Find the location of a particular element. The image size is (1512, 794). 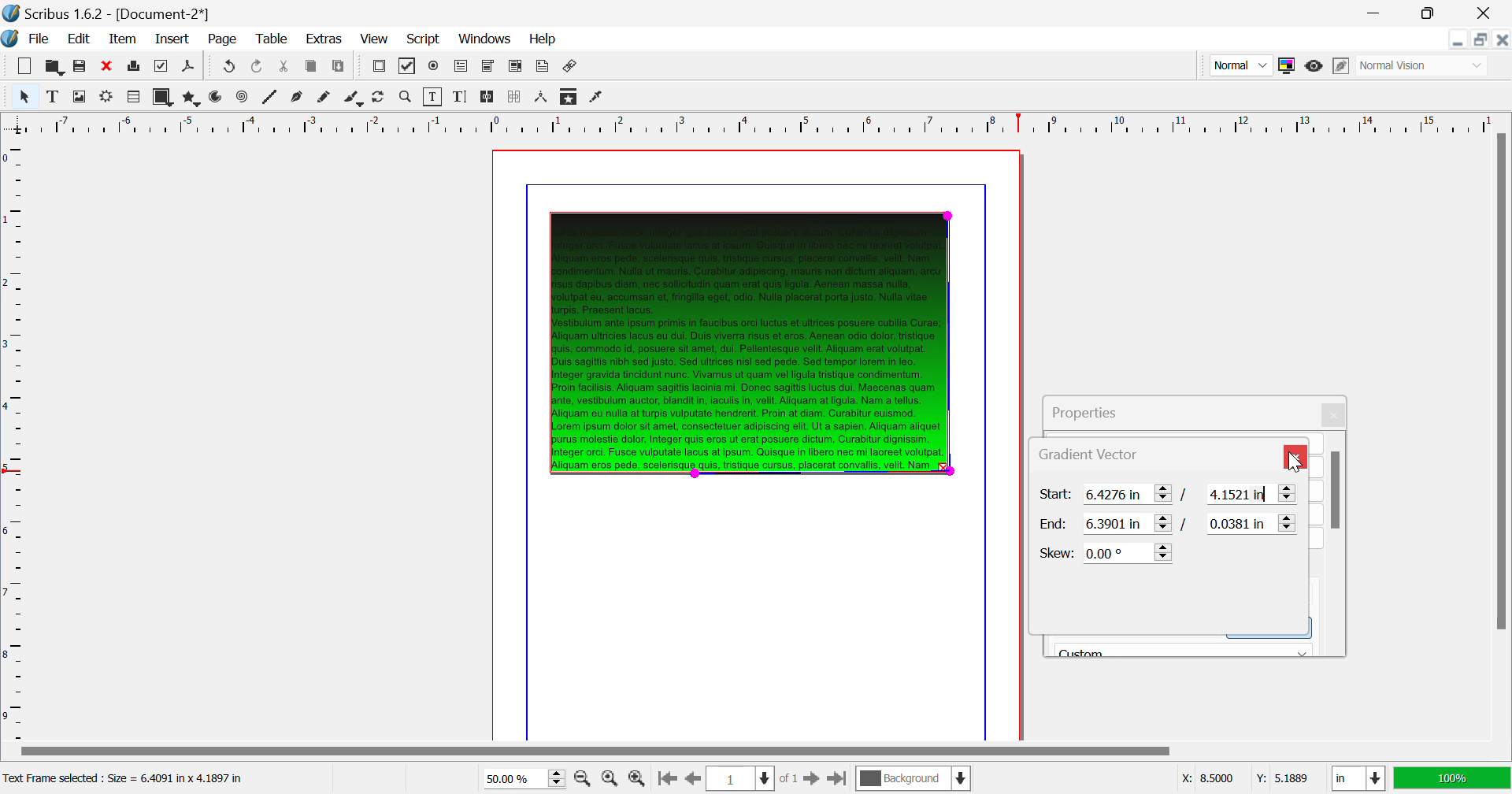

Zoom Out is located at coordinates (584, 777).